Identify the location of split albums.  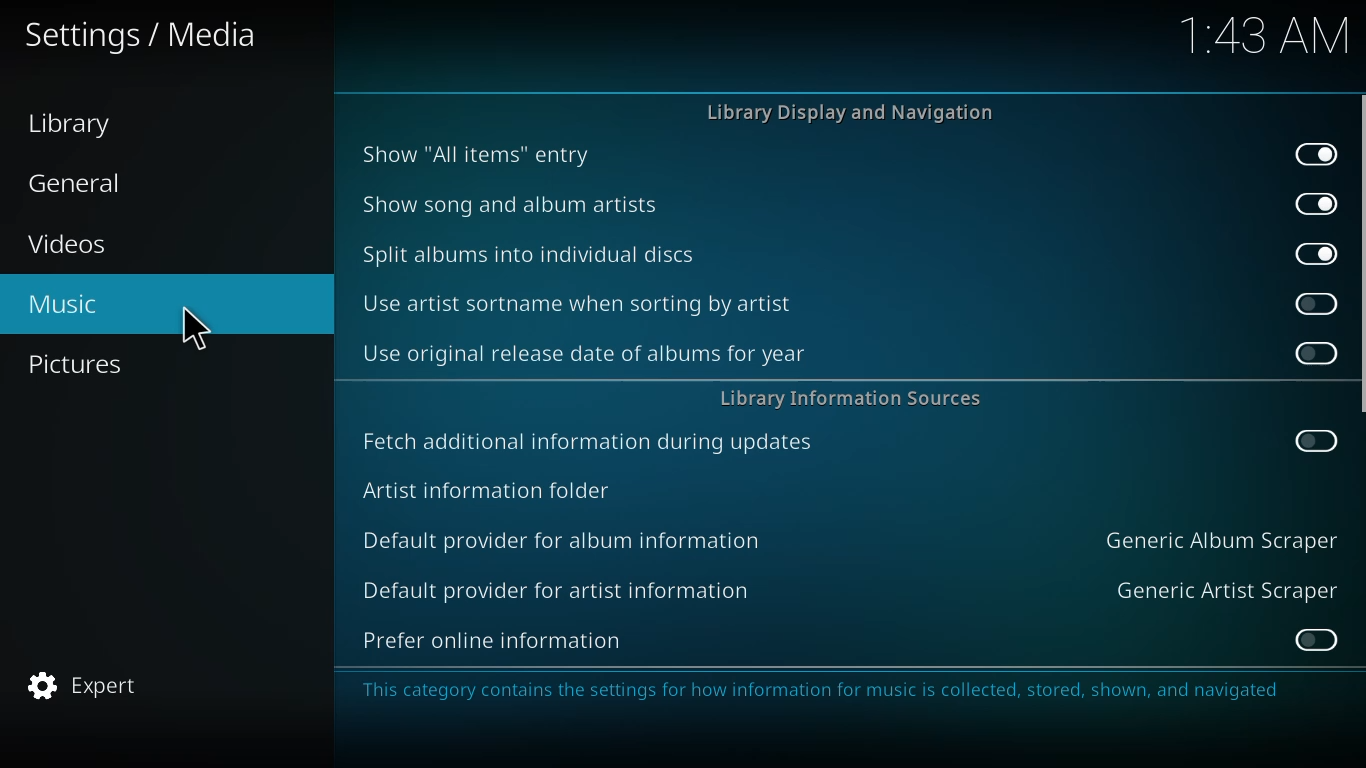
(530, 255).